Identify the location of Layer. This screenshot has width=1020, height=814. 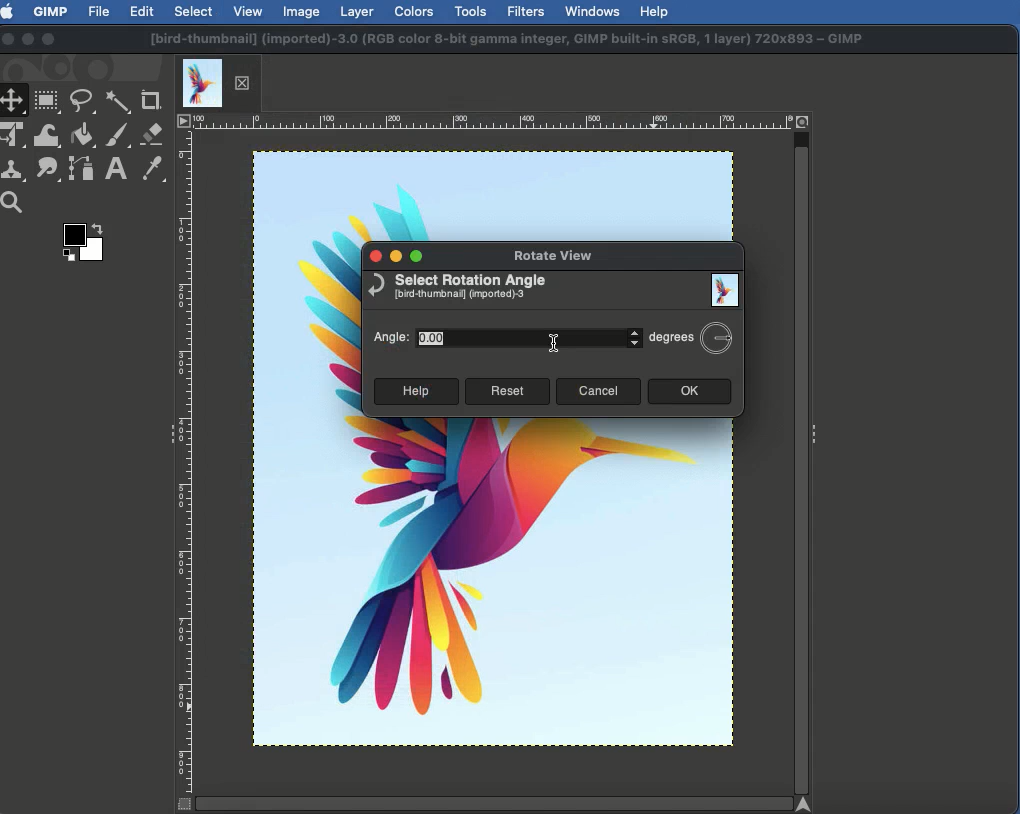
(357, 12).